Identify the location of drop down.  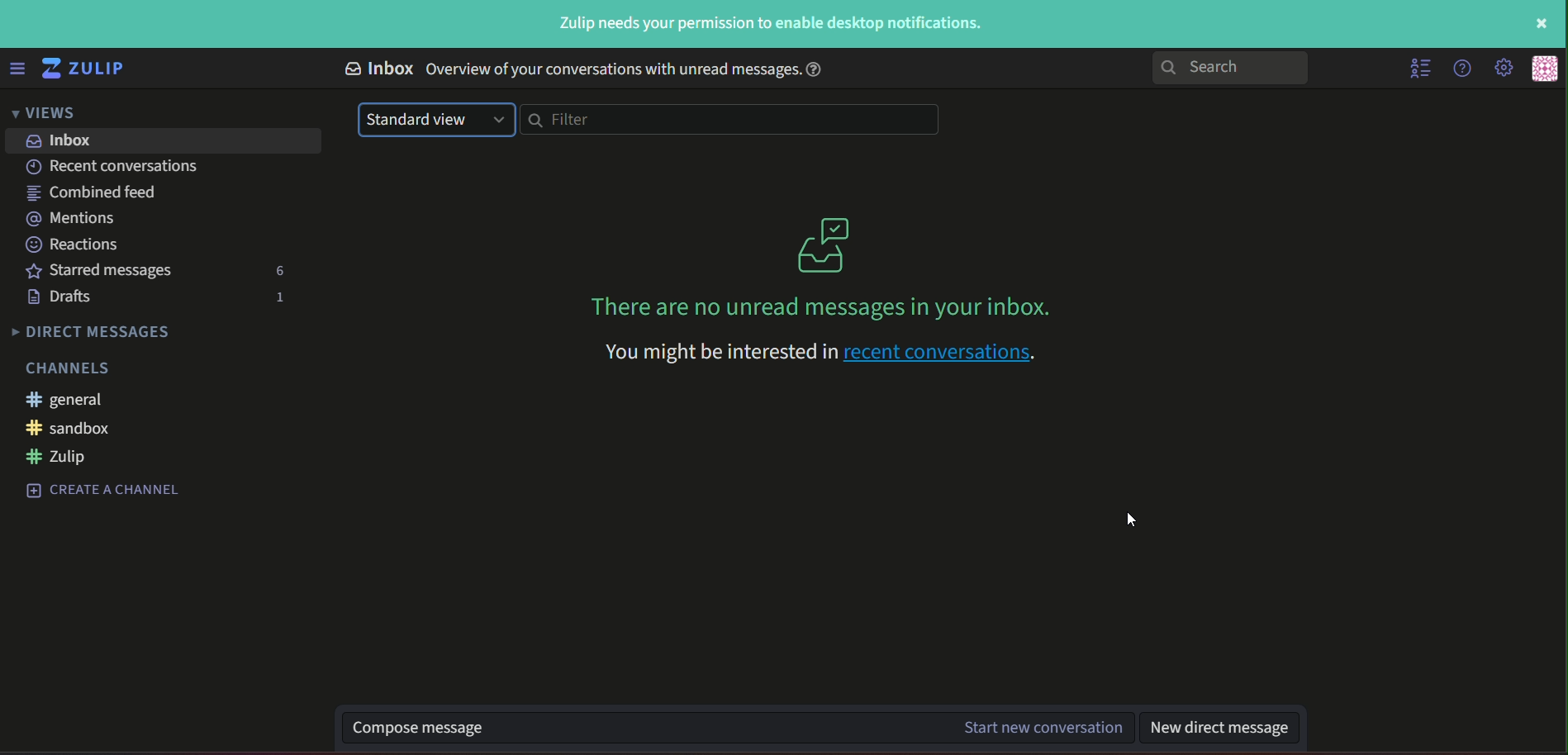
(439, 119).